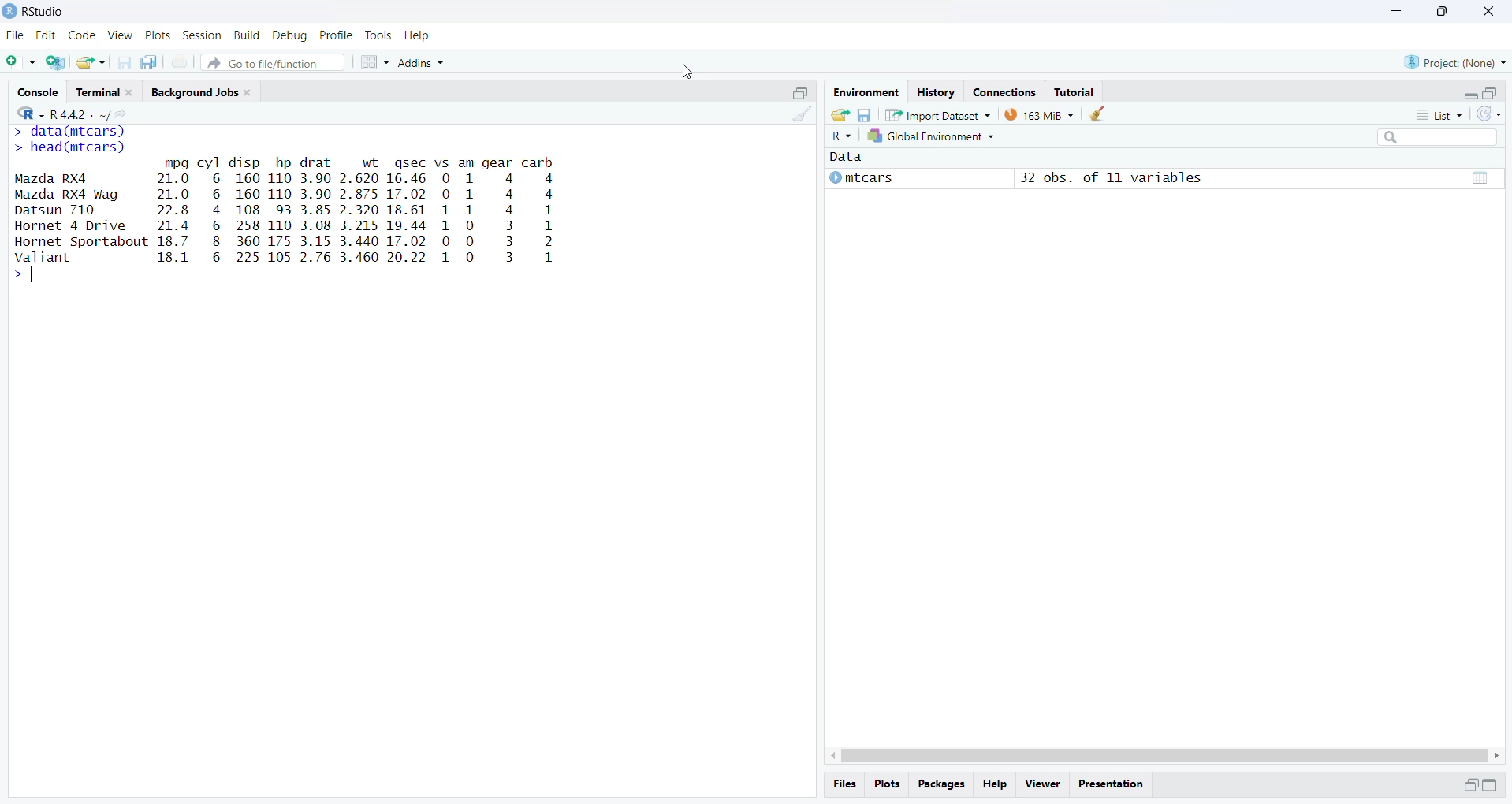 The image size is (1512, 804). What do you see at coordinates (1442, 12) in the screenshot?
I see `maximise` at bounding box center [1442, 12].